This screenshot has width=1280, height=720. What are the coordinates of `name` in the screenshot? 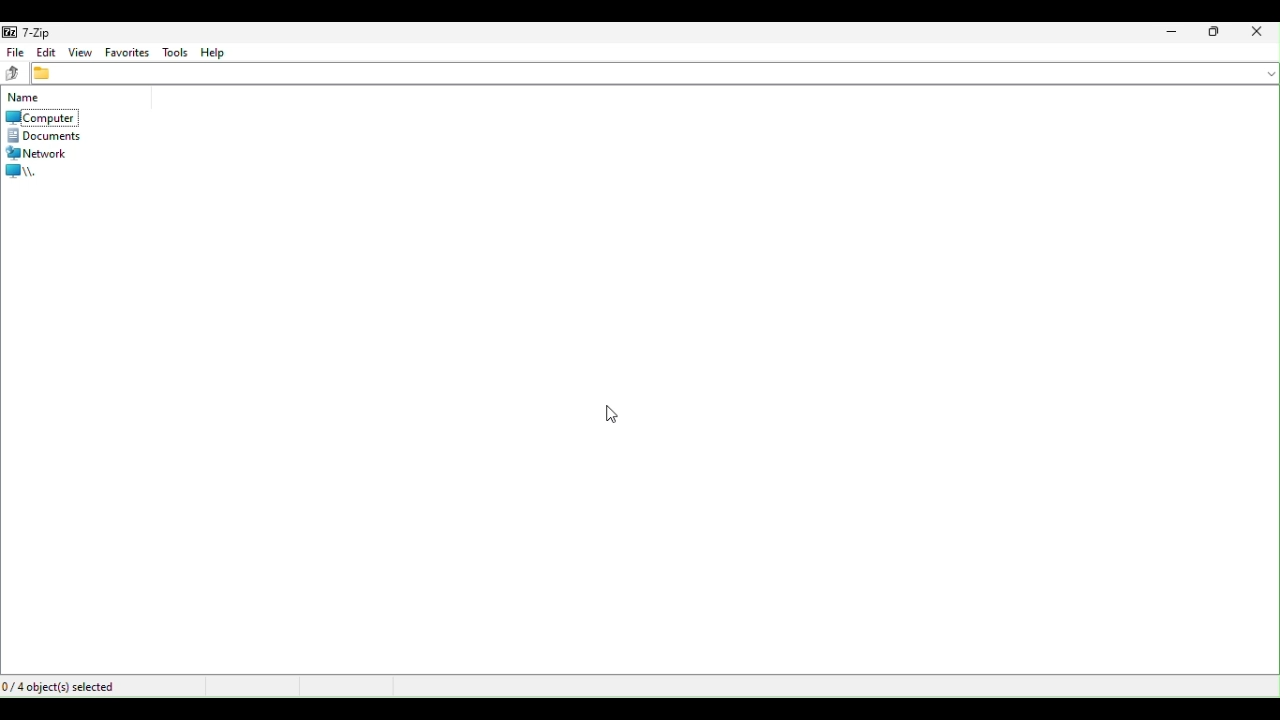 It's located at (30, 97).